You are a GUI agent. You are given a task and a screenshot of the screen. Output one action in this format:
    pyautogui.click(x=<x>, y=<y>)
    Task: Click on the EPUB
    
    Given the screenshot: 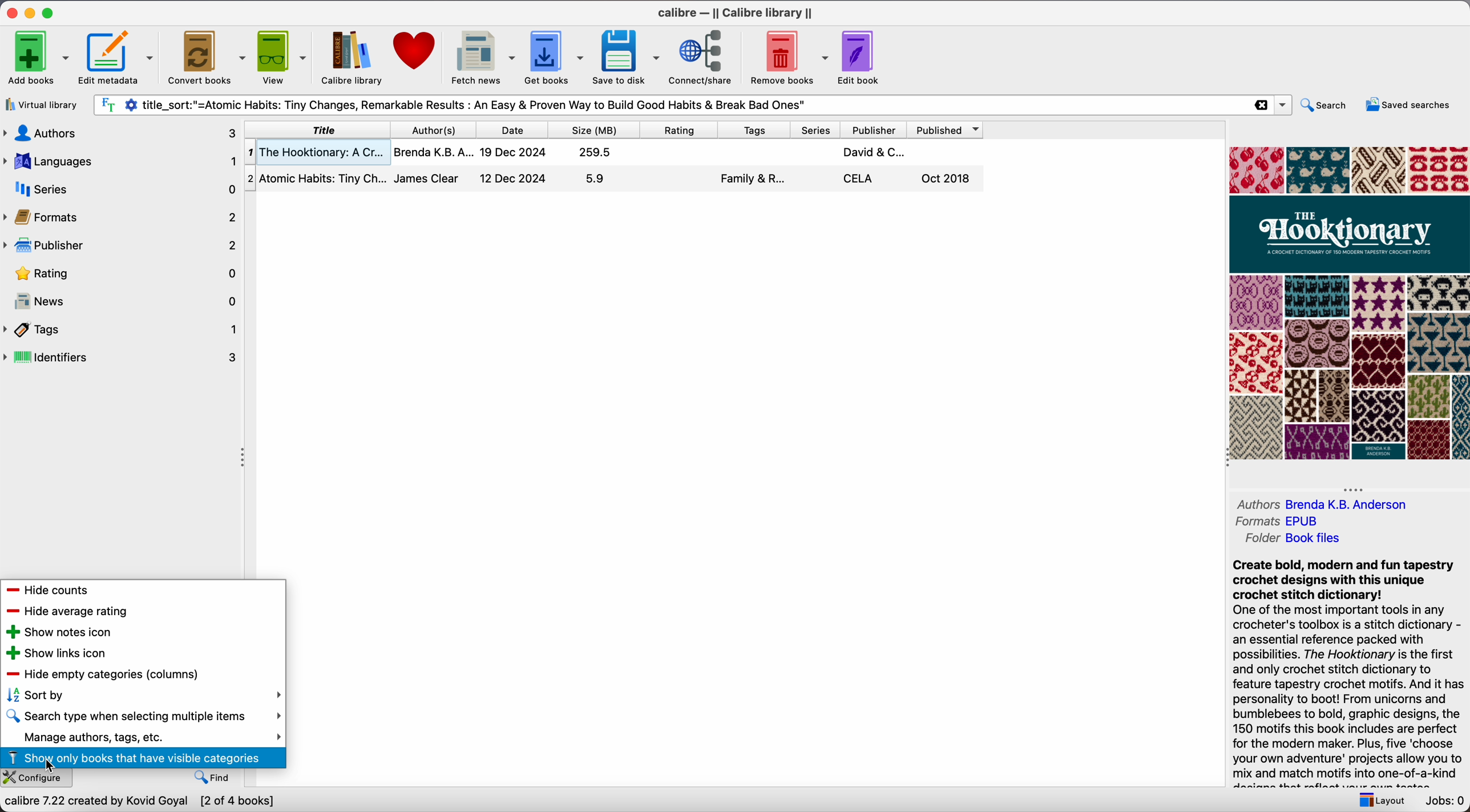 What is the action you would take?
    pyautogui.click(x=1303, y=521)
    